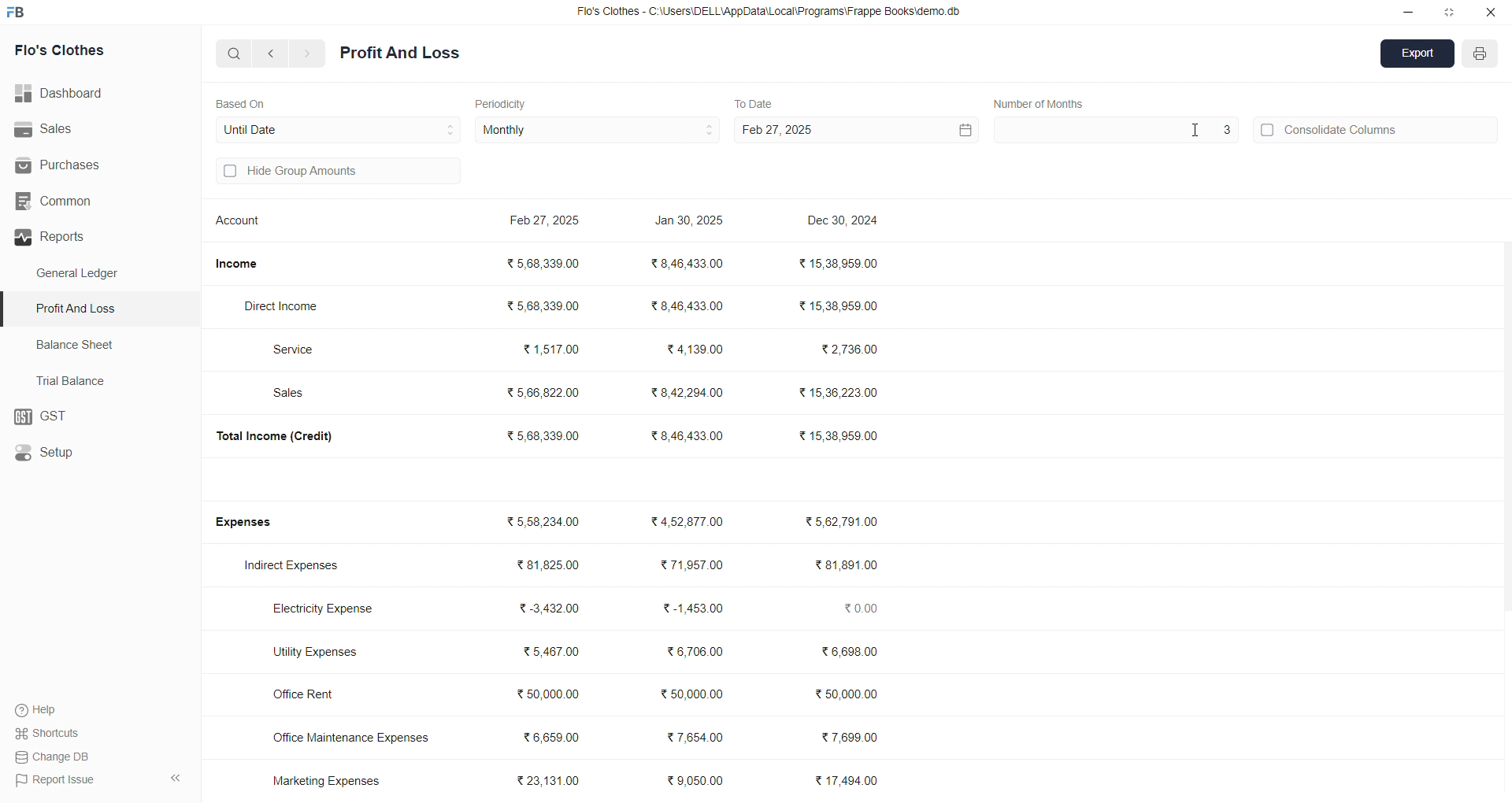  Describe the element at coordinates (289, 307) in the screenshot. I see `Direct Income` at that location.